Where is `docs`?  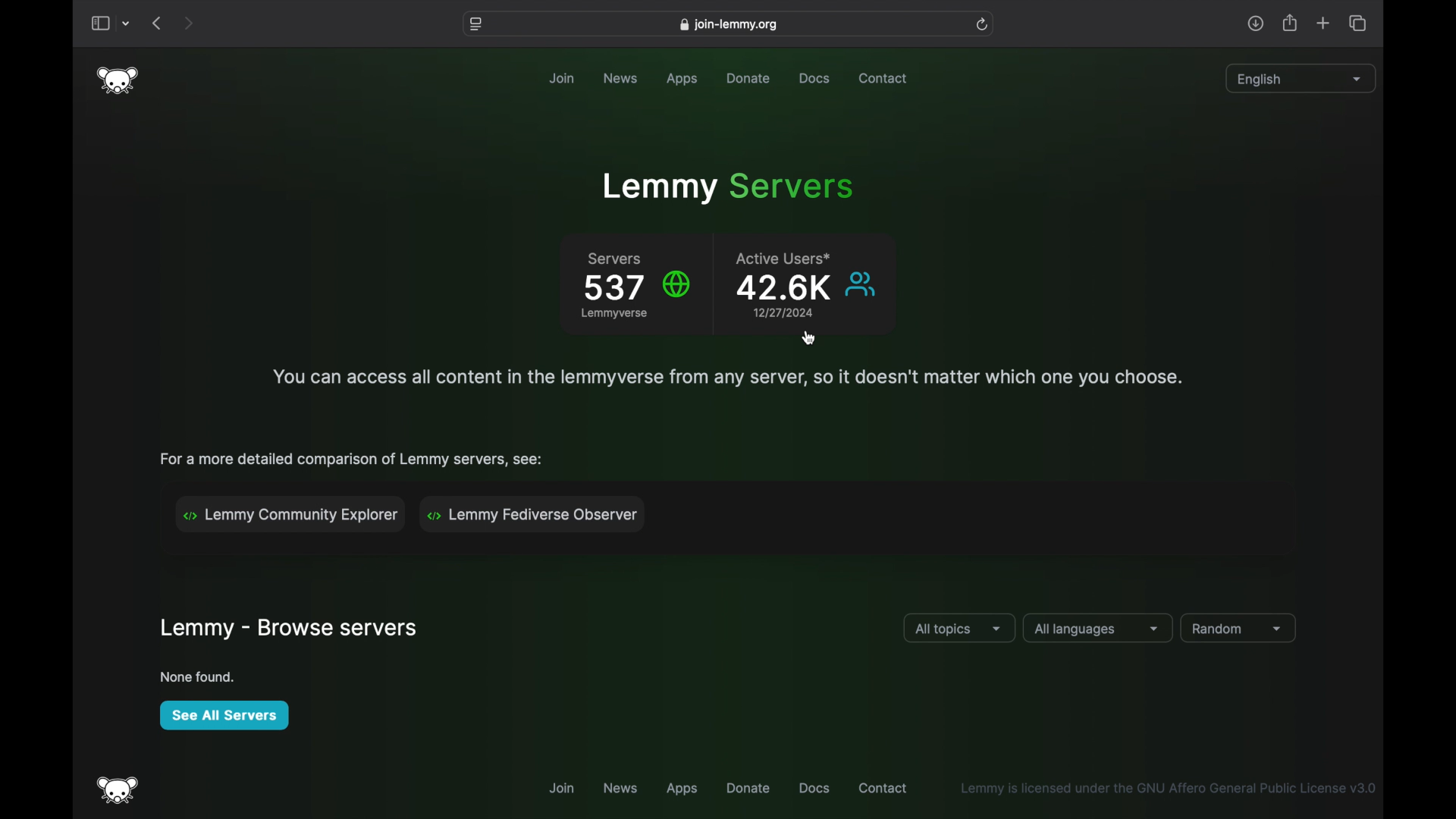
docs is located at coordinates (814, 788).